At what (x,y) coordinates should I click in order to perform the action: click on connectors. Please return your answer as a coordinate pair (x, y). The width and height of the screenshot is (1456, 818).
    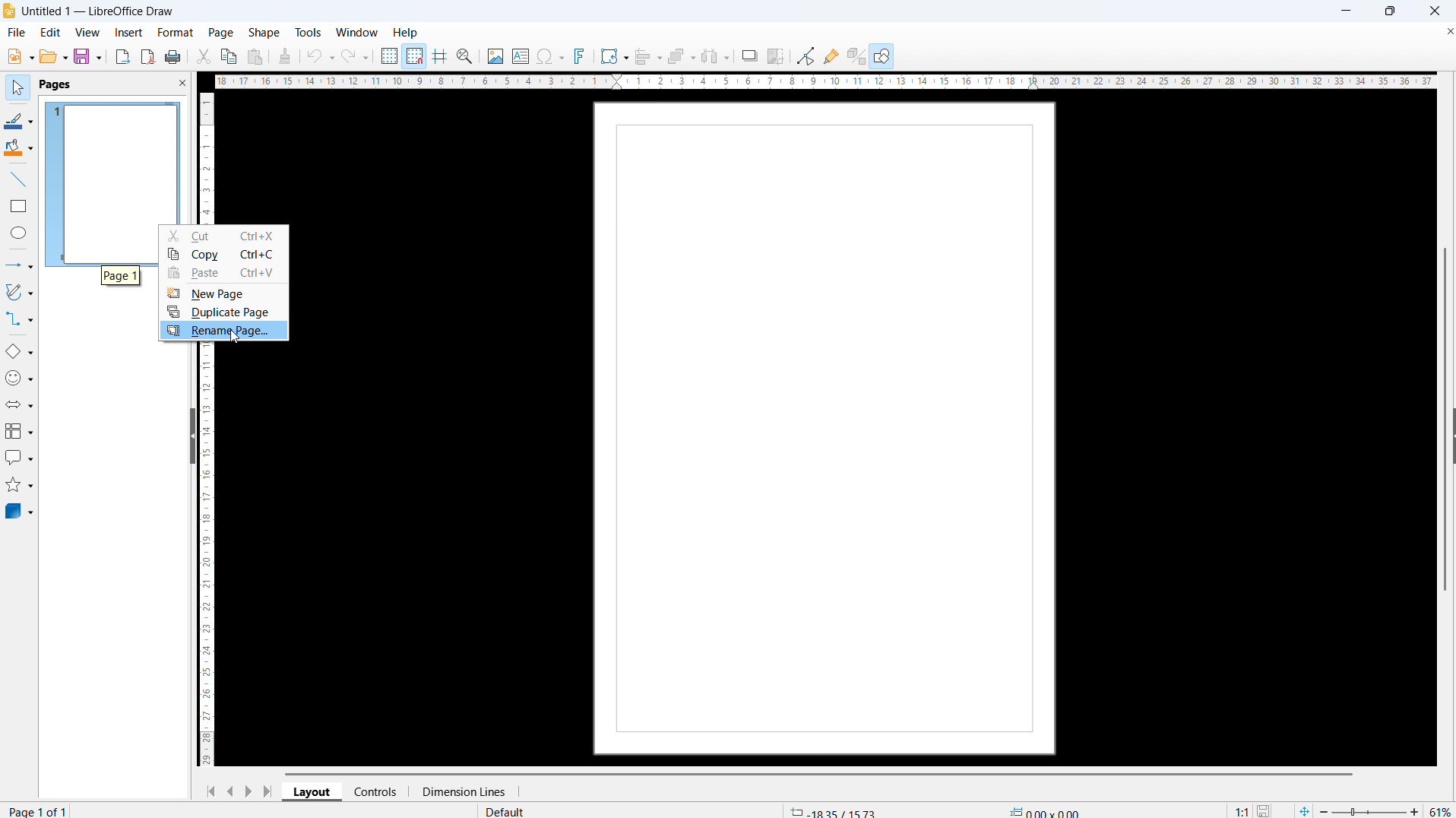
    Looking at the image, I should click on (19, 320).